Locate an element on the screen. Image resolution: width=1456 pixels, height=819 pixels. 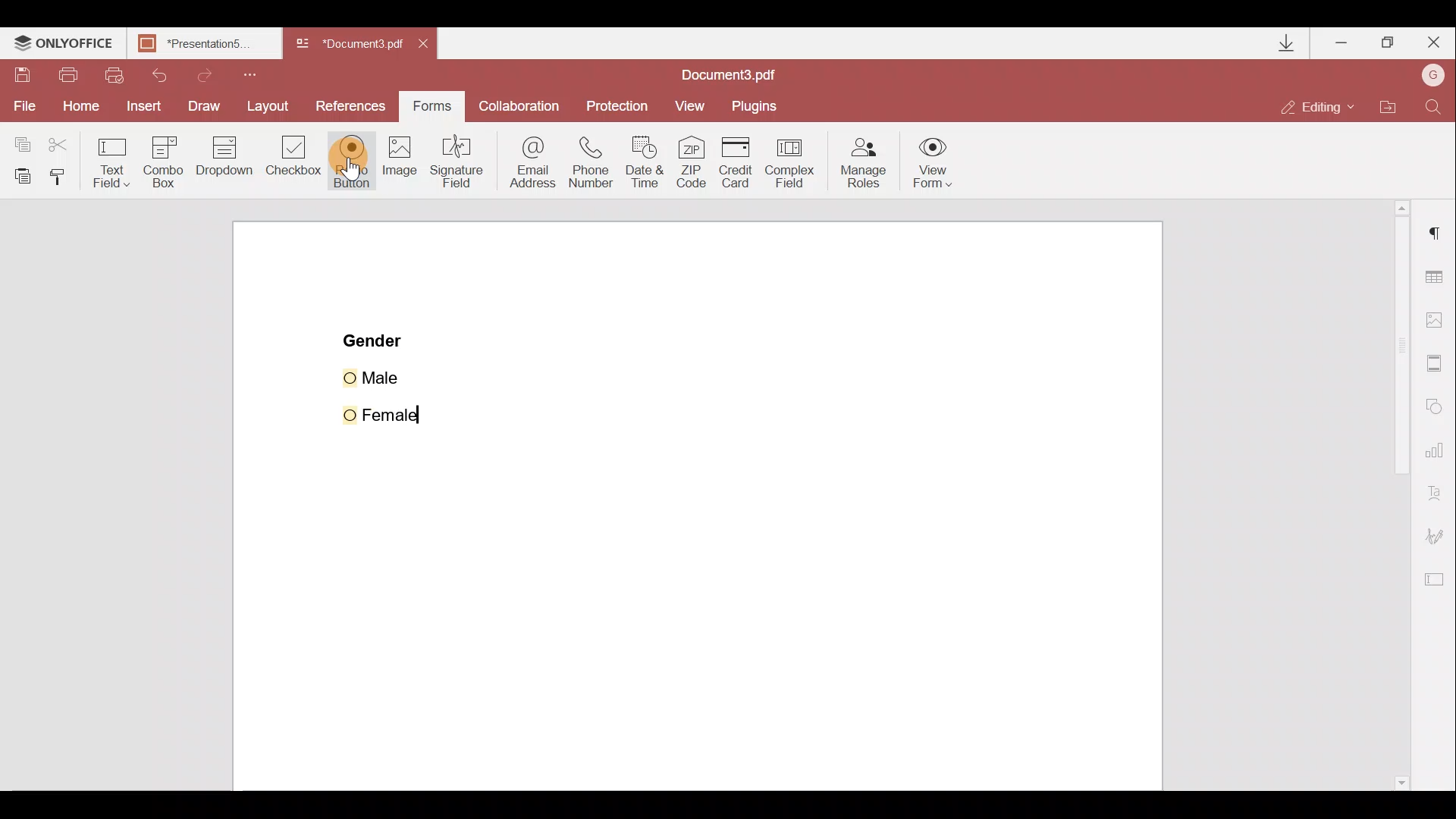
Credit card is located at coordinates (736, 158).